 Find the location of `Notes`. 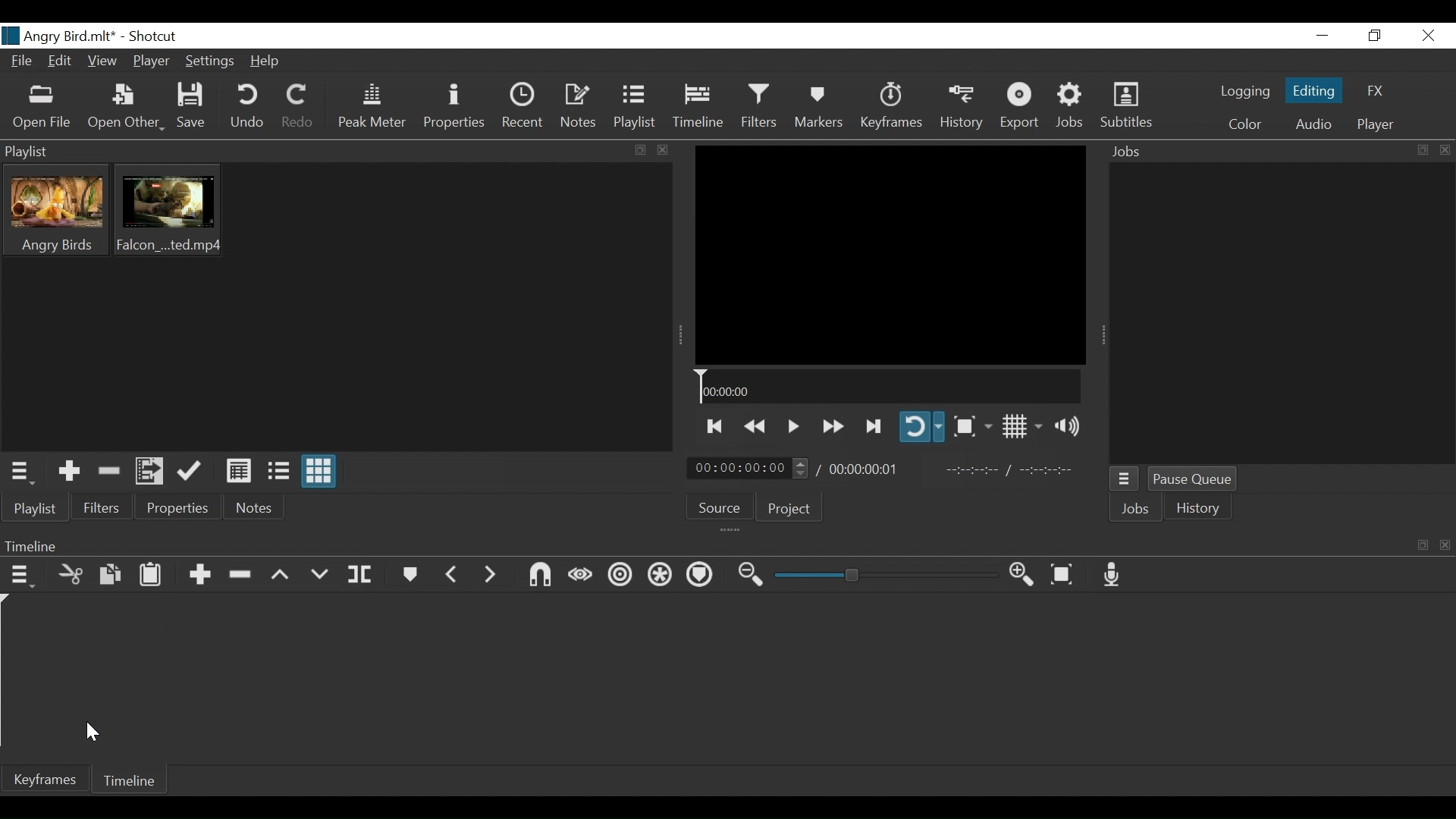

Notes is located at coordinates (256, 509).